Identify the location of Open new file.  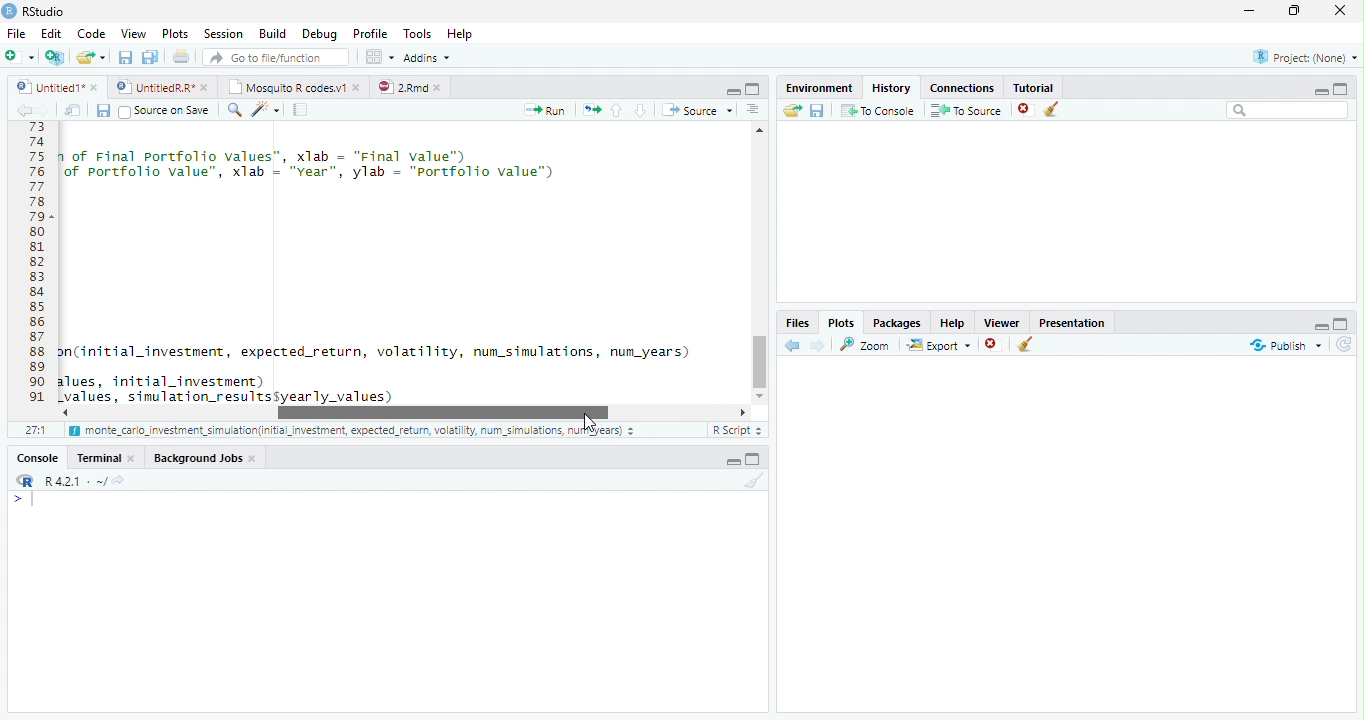
(19, 56).